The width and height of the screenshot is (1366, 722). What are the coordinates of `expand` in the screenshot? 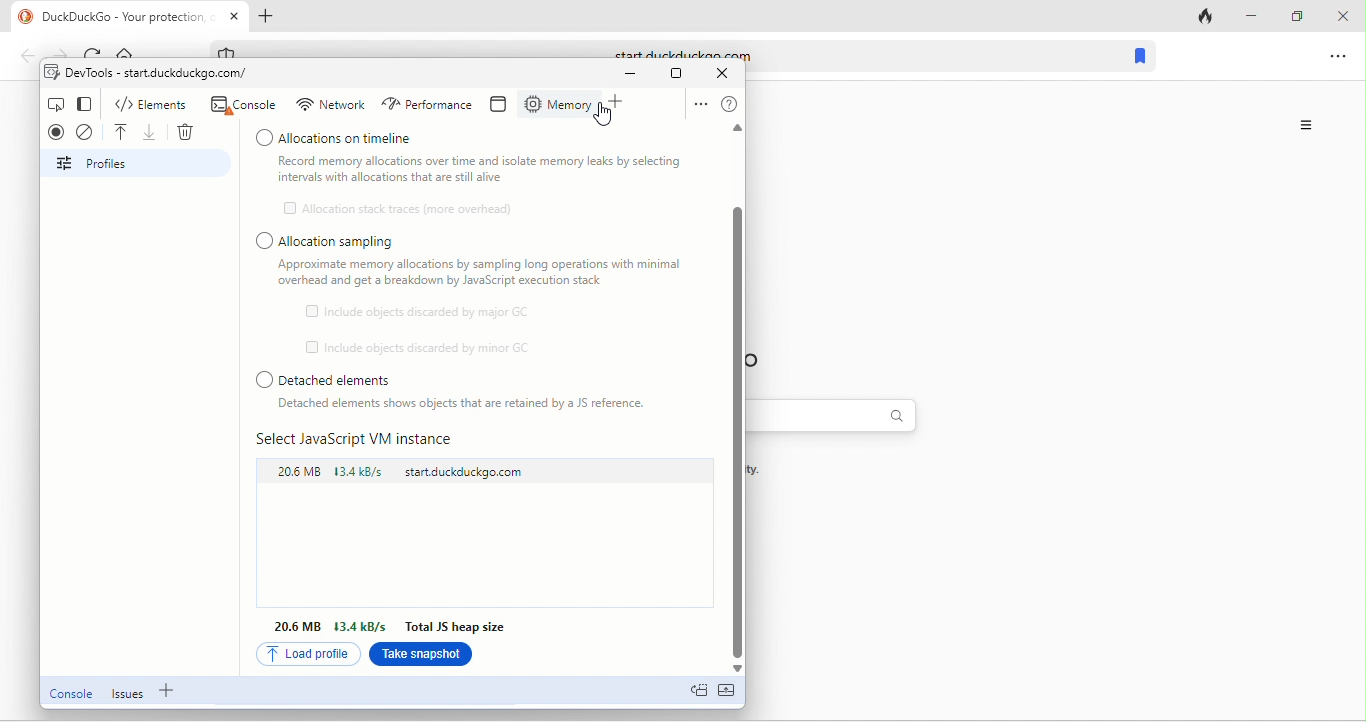 It's located at (734, 697).